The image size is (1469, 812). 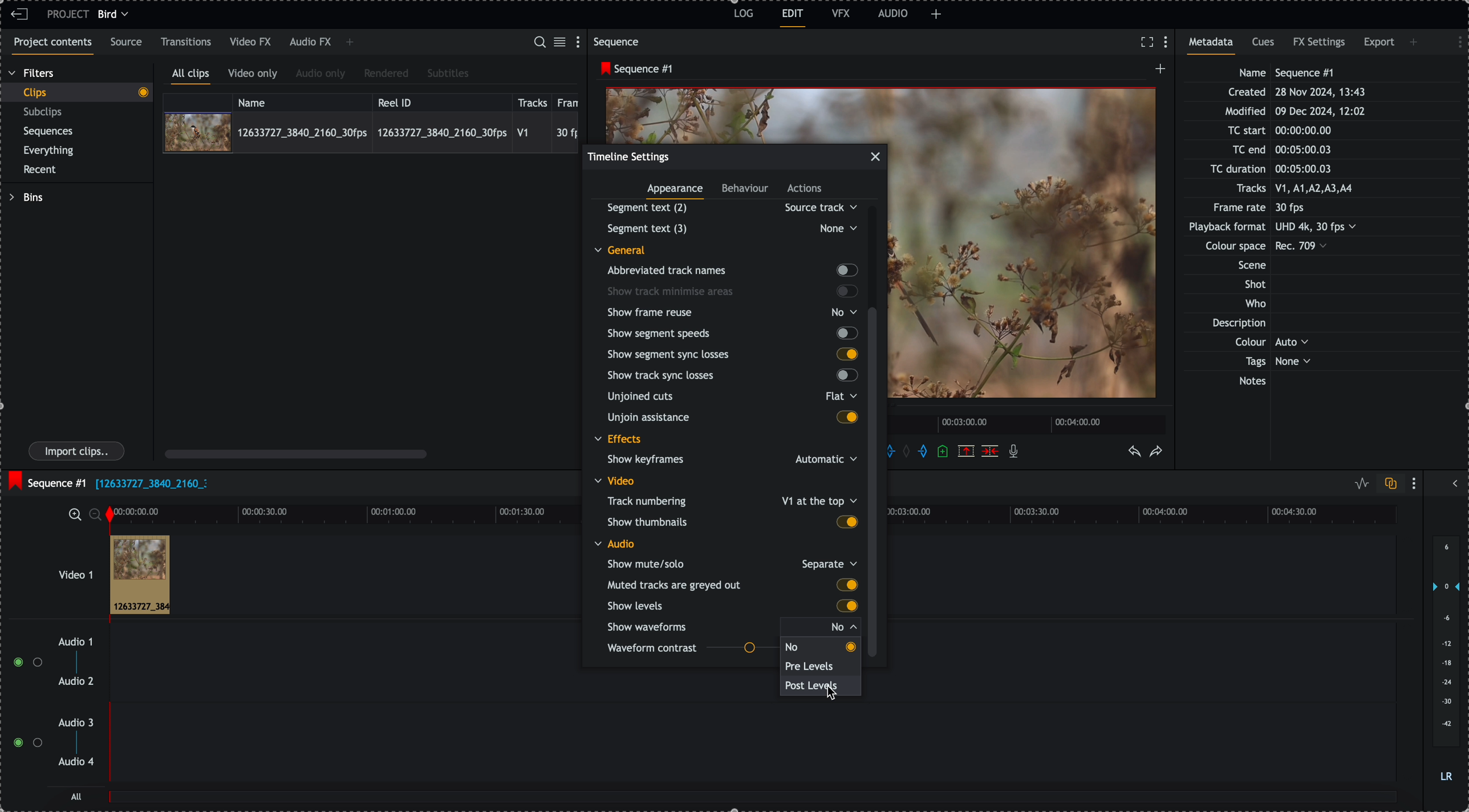 I want to click on track audio, so click(x=343, y=665).